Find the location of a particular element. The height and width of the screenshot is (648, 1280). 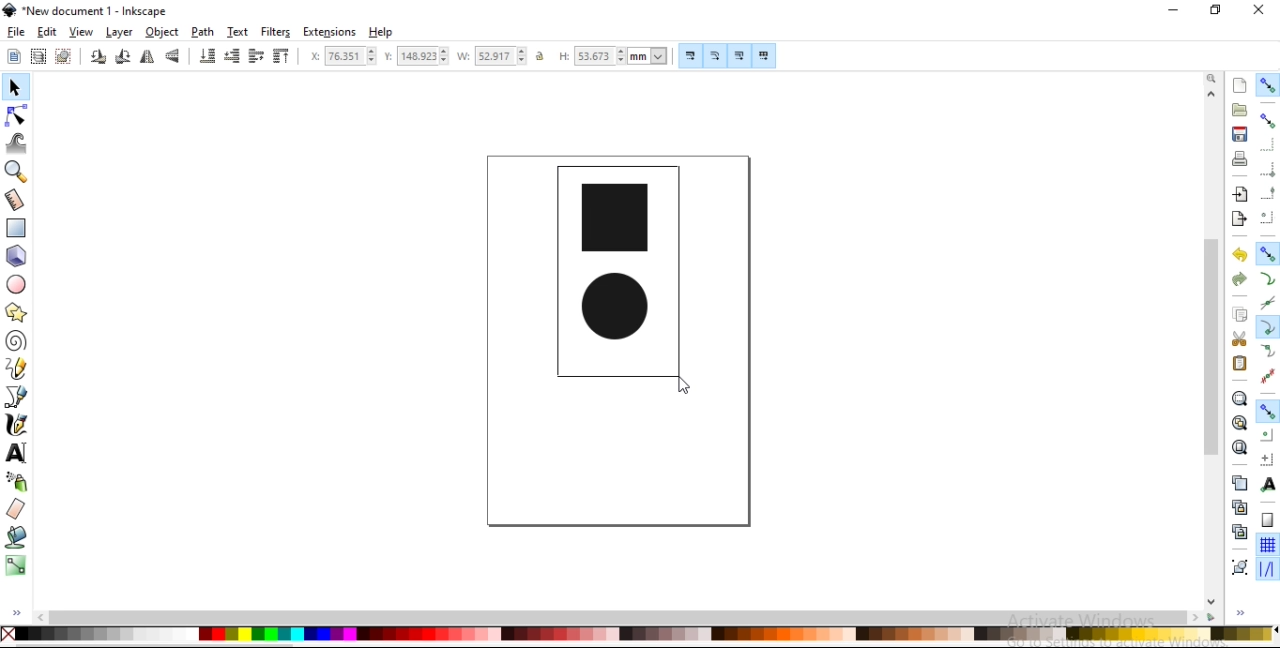

text is located at coordinates (239, 31).